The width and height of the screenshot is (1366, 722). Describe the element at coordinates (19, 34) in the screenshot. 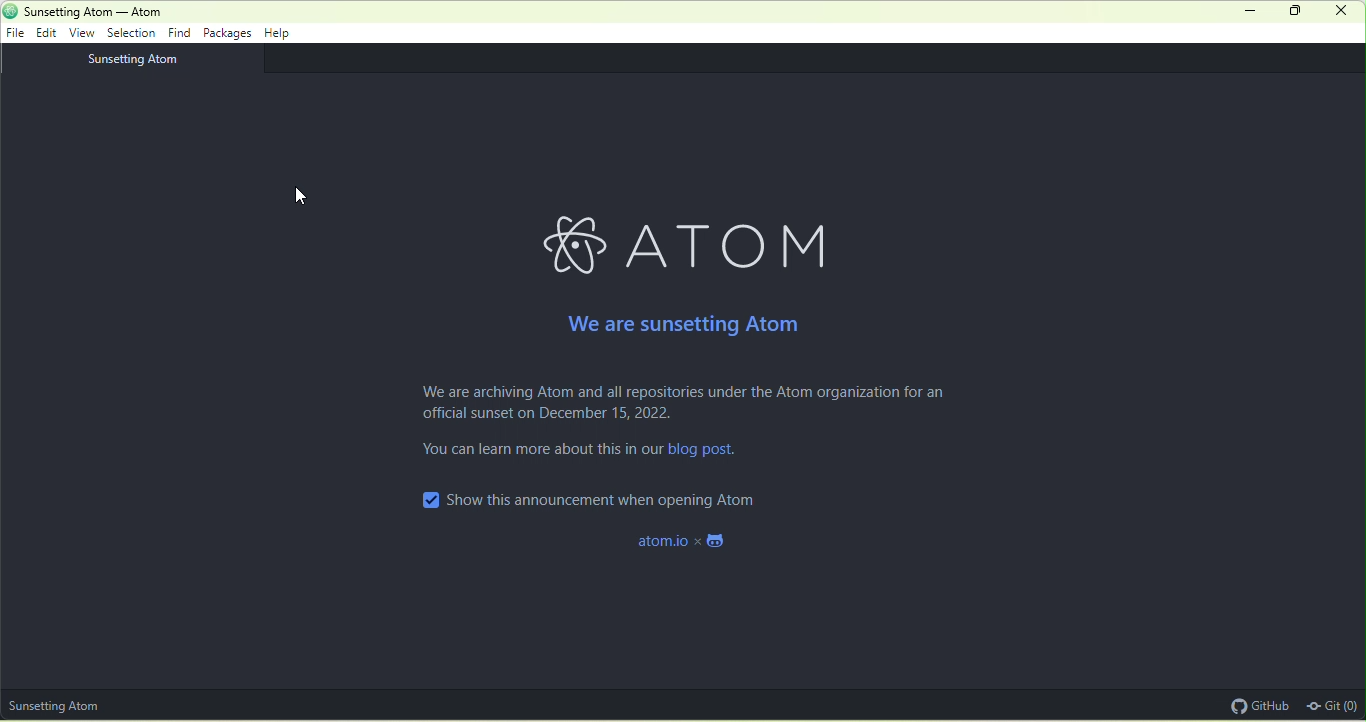

I see `file` at that location.